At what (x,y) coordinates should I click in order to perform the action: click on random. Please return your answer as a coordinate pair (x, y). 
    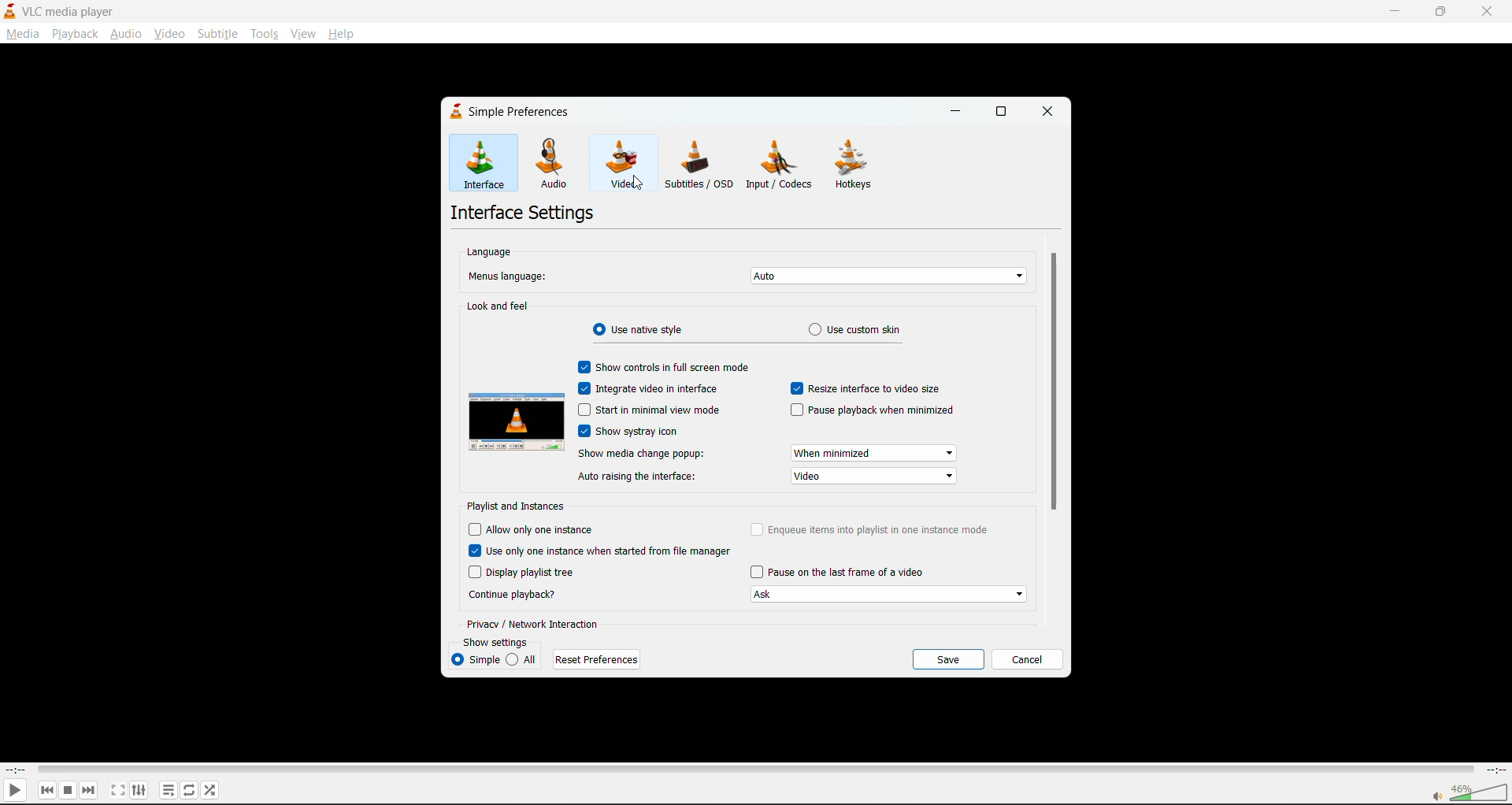
    Looking at the image, I should click on (212, 792).